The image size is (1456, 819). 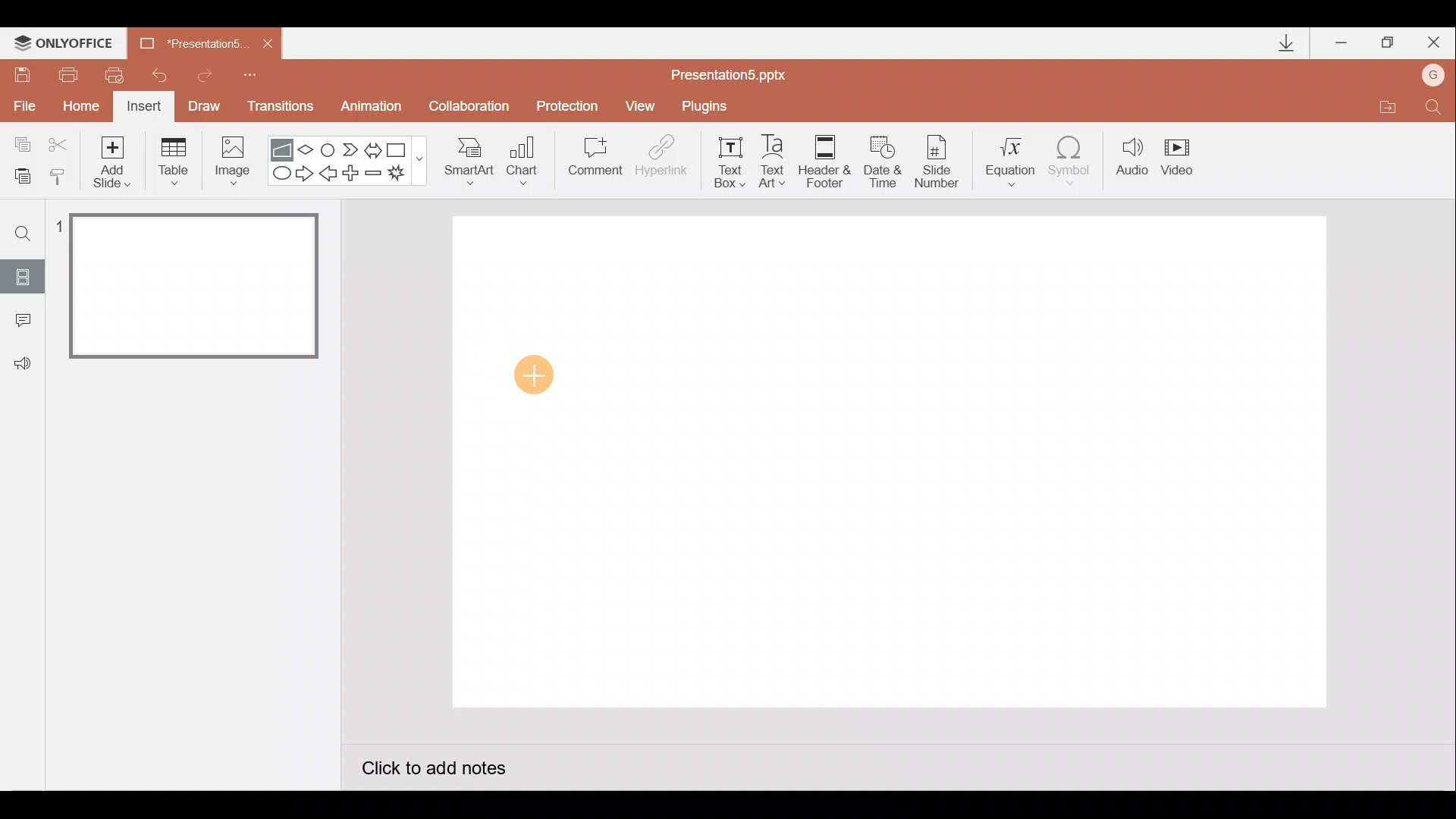 I want to click on Header & footer, so click(x=824, y=160).